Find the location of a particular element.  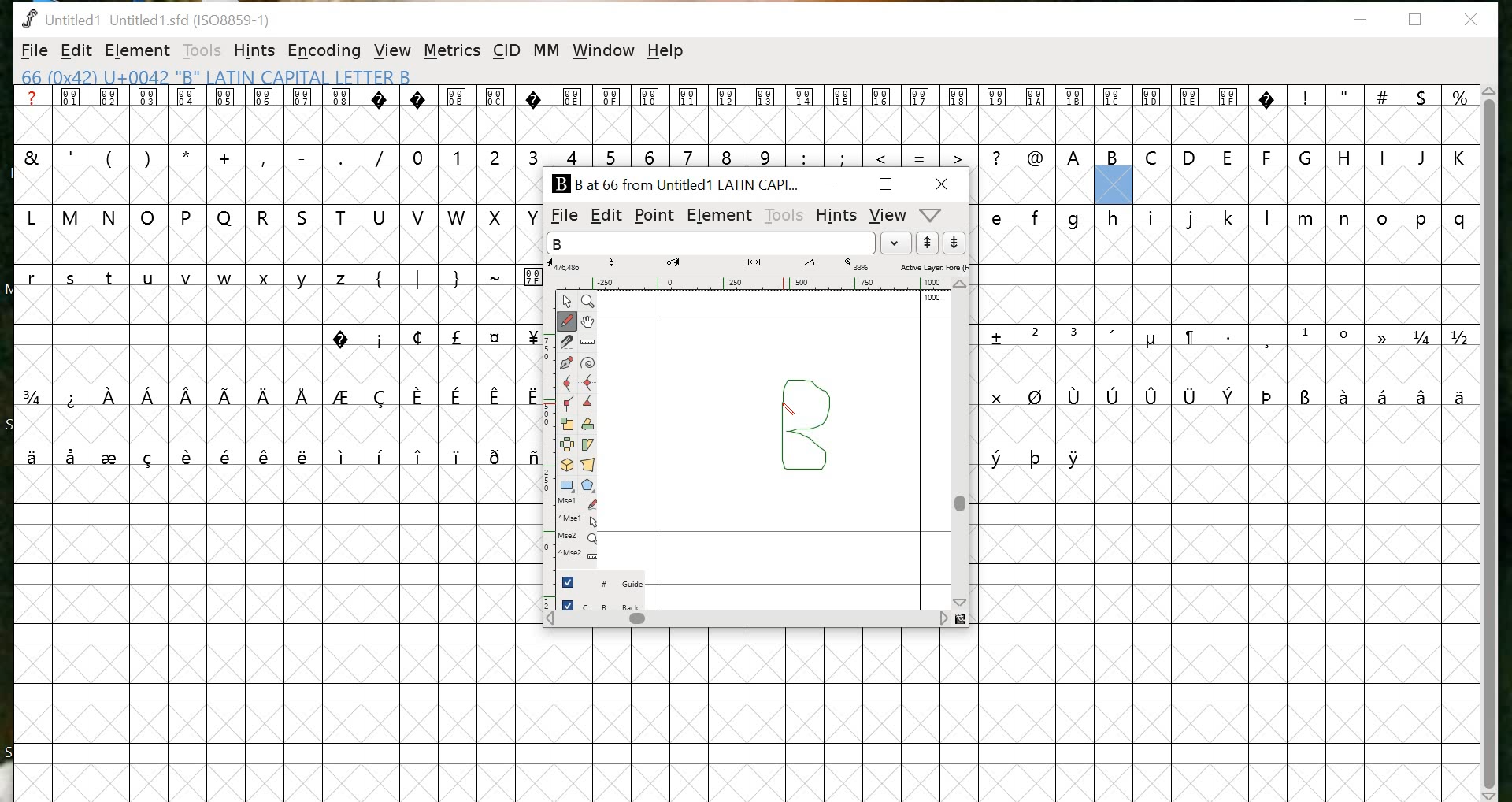

Ruler is located at coordinates (588, 344).